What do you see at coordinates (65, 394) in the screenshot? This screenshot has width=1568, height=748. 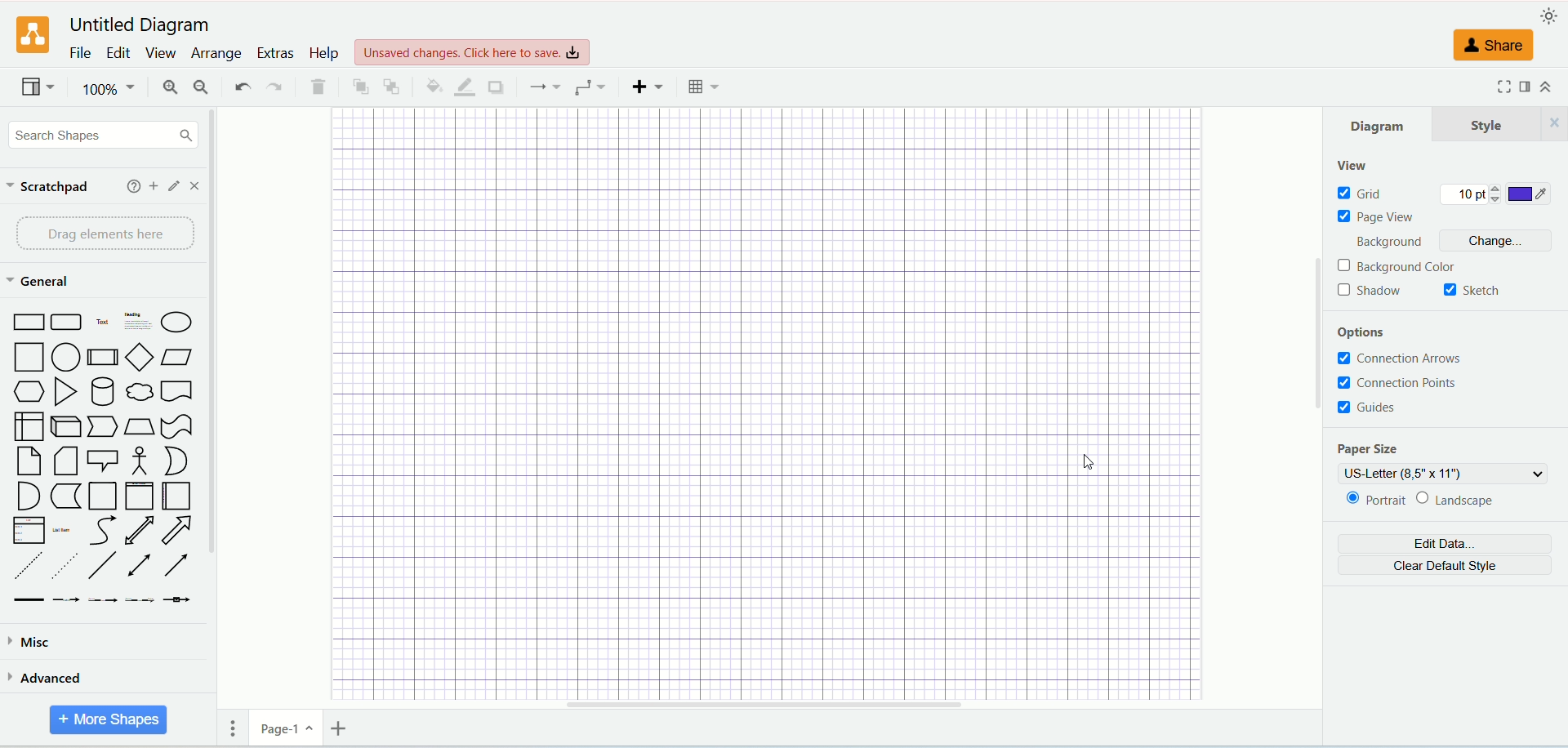 I see `Triangle` at bounding box center [65, 394].